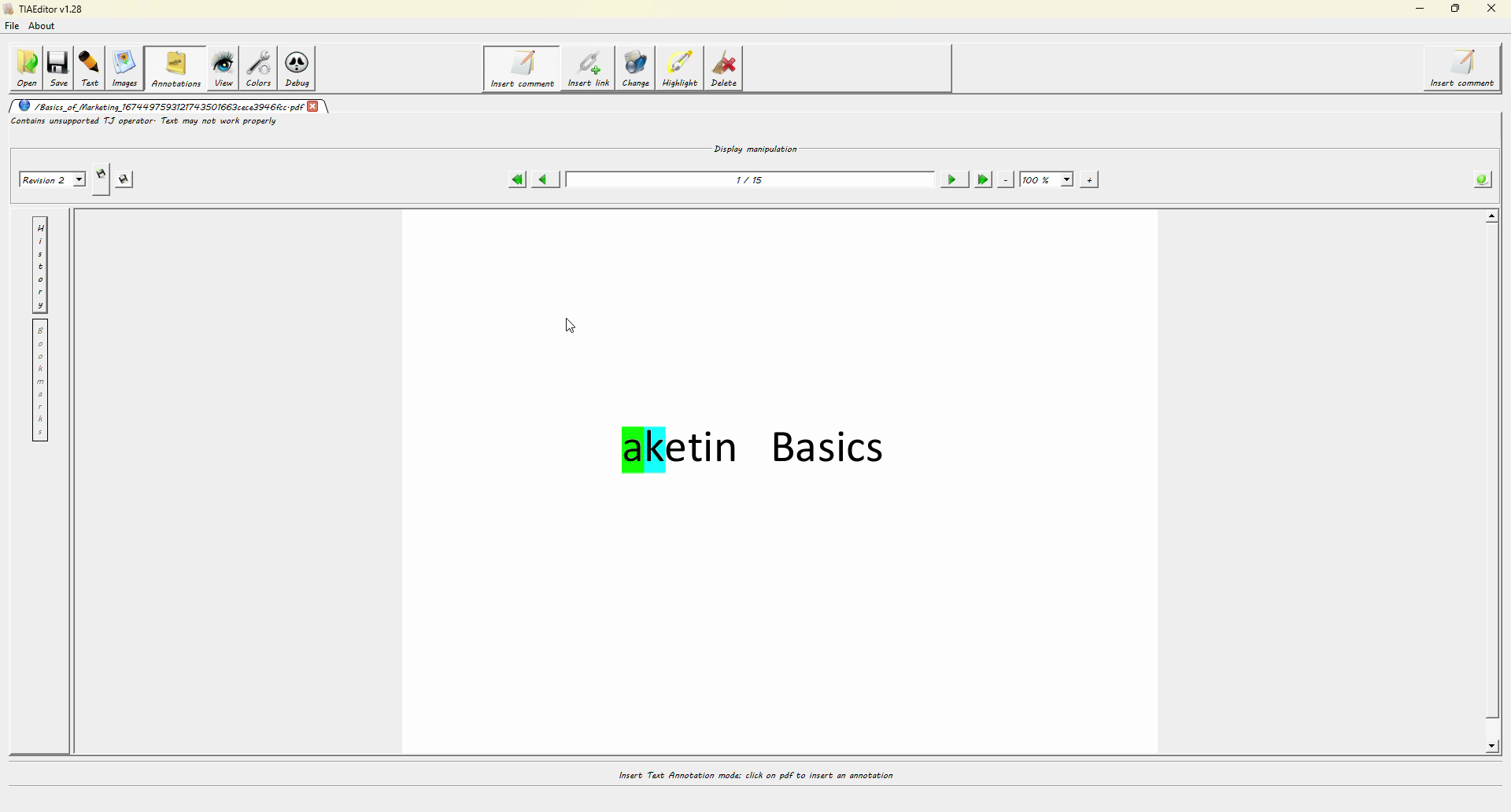  I want to click on debug, so click(302, 70).